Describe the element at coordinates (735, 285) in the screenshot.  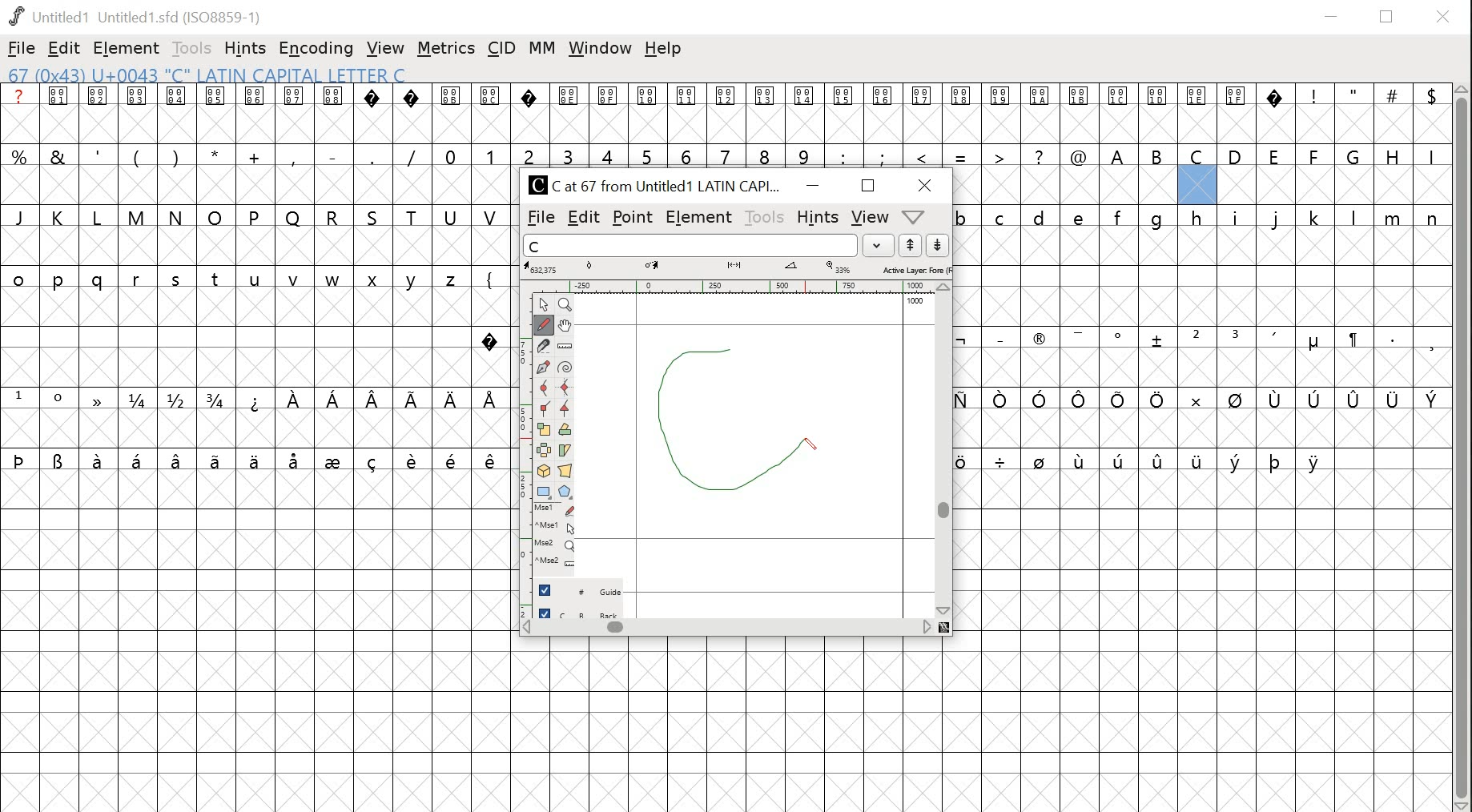
I see `ruler` at that location.